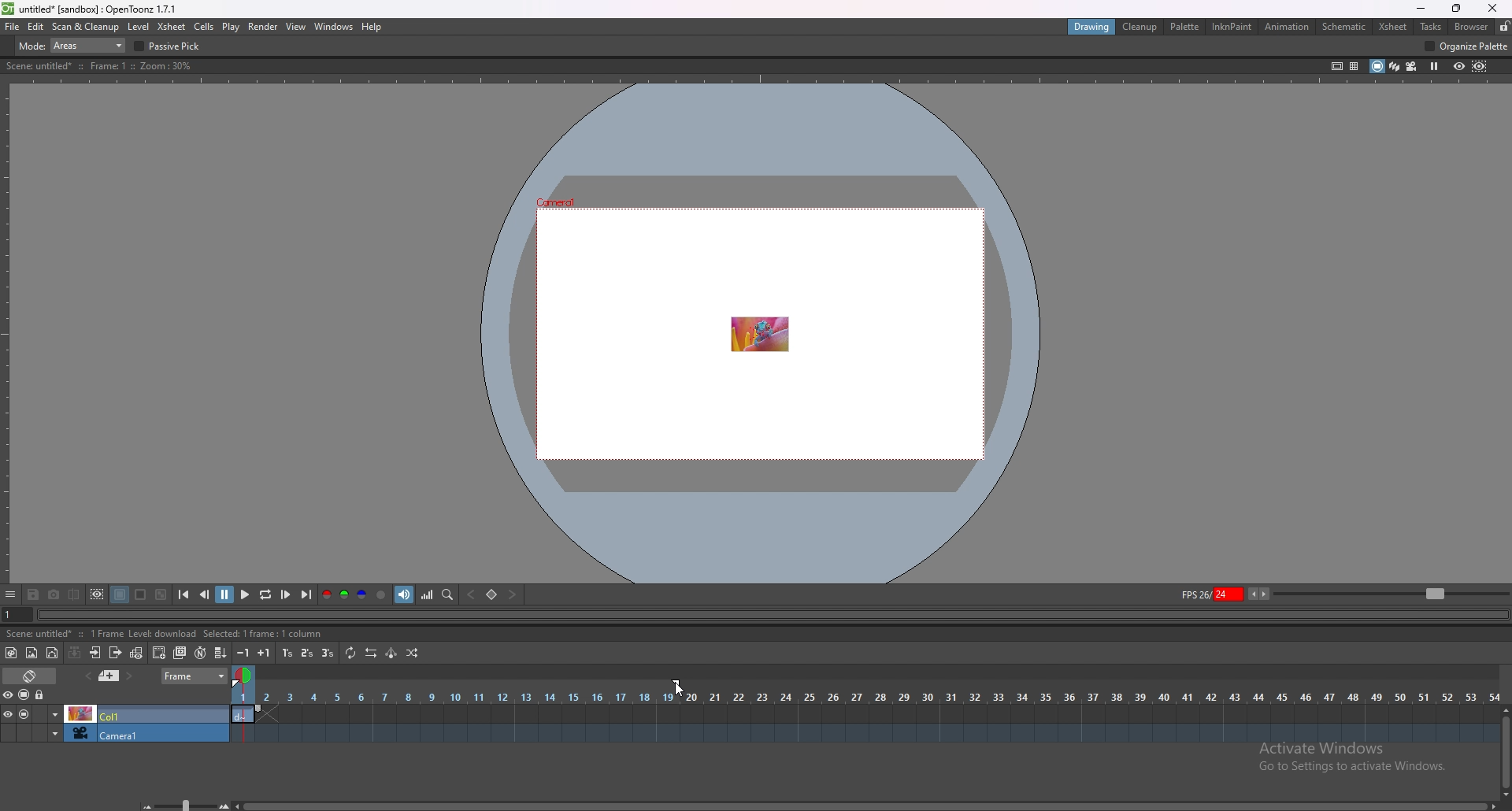  I want to click on passive pick, so click(170, 46).